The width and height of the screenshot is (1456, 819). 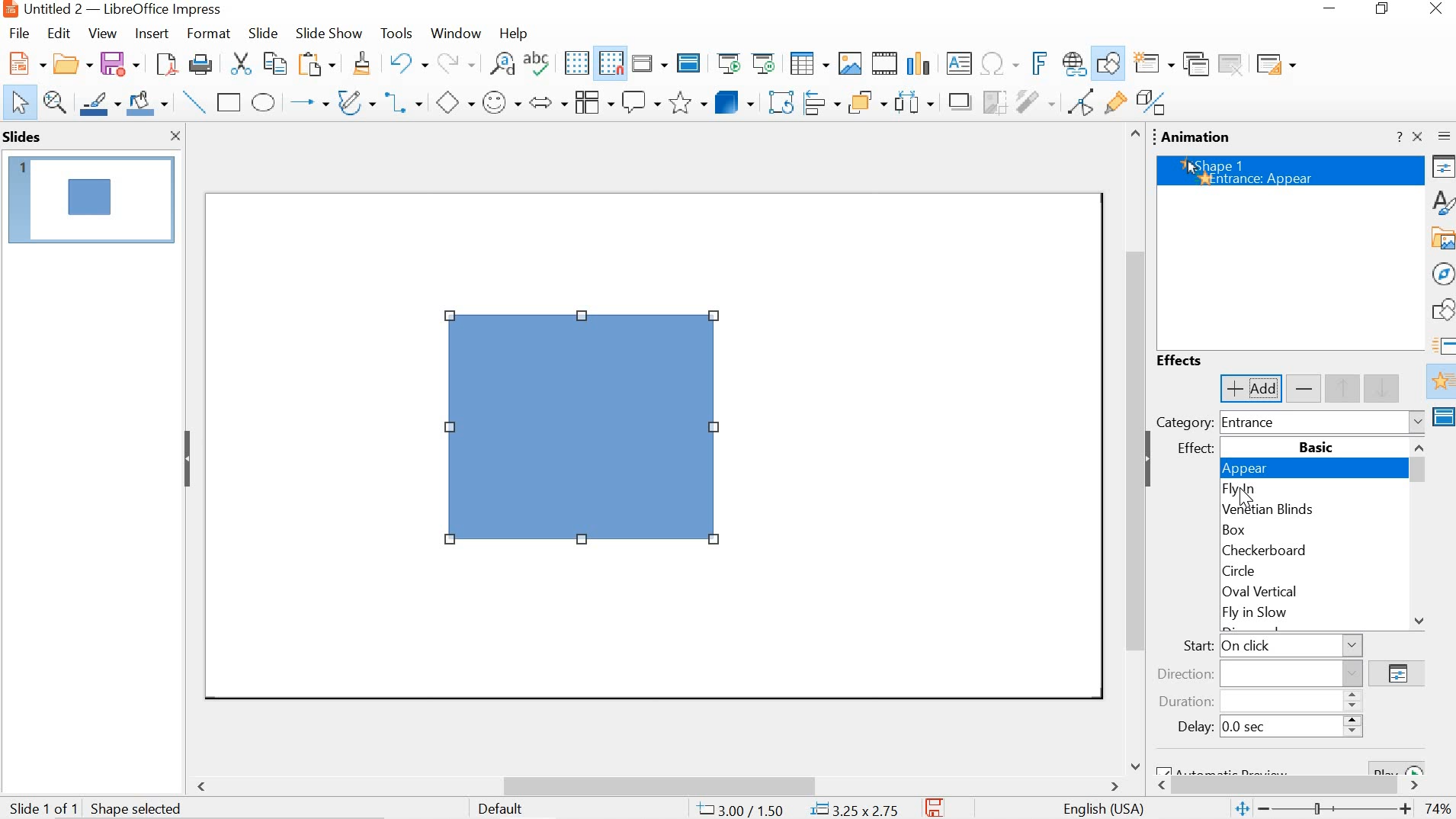 What do you see at coordinates (189, 458) in the screenshot?
I see `hide` at bounding box center [189, 458].